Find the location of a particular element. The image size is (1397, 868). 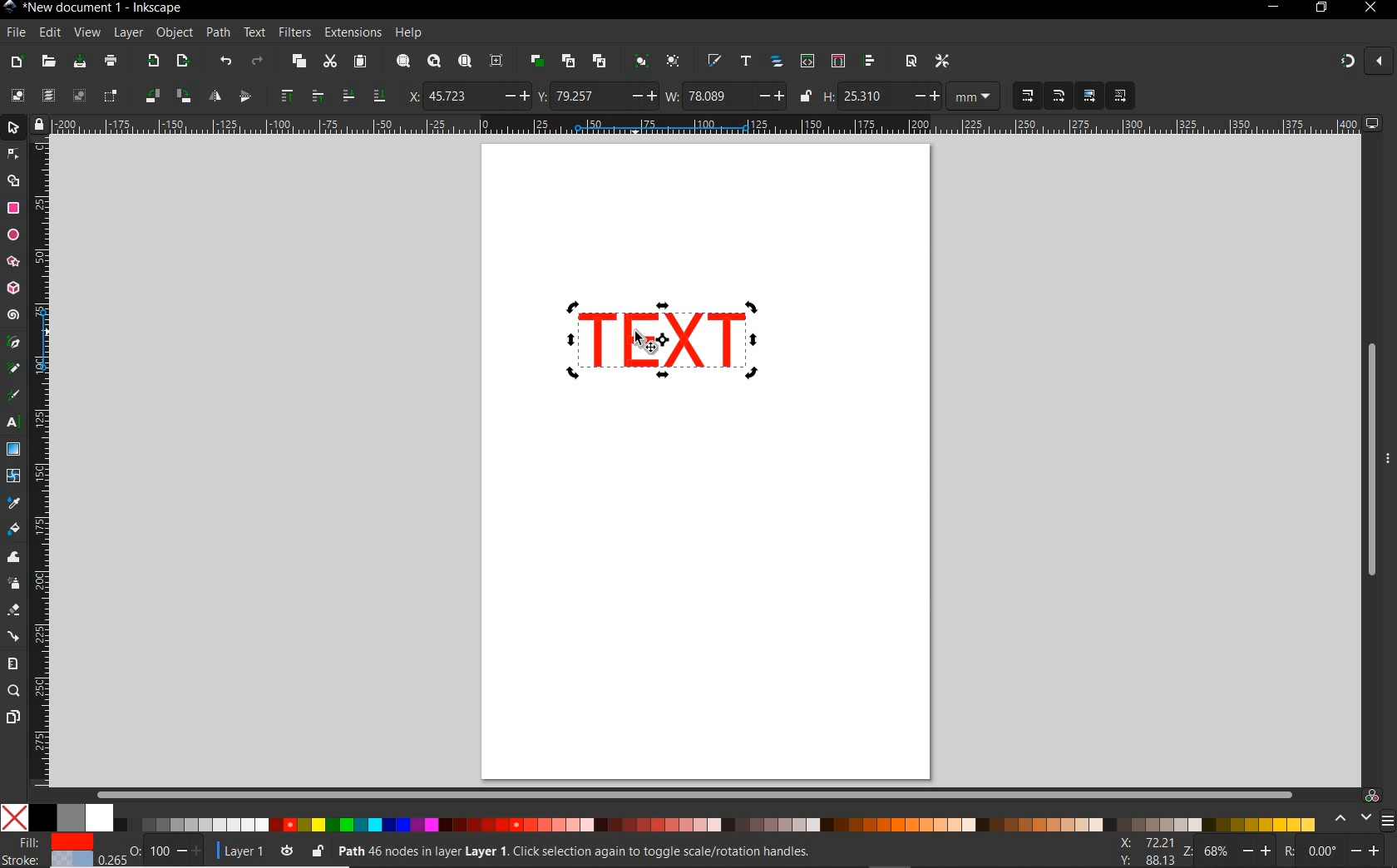

OPEN FILL AND STROKE is located at coordinates (713, 62).